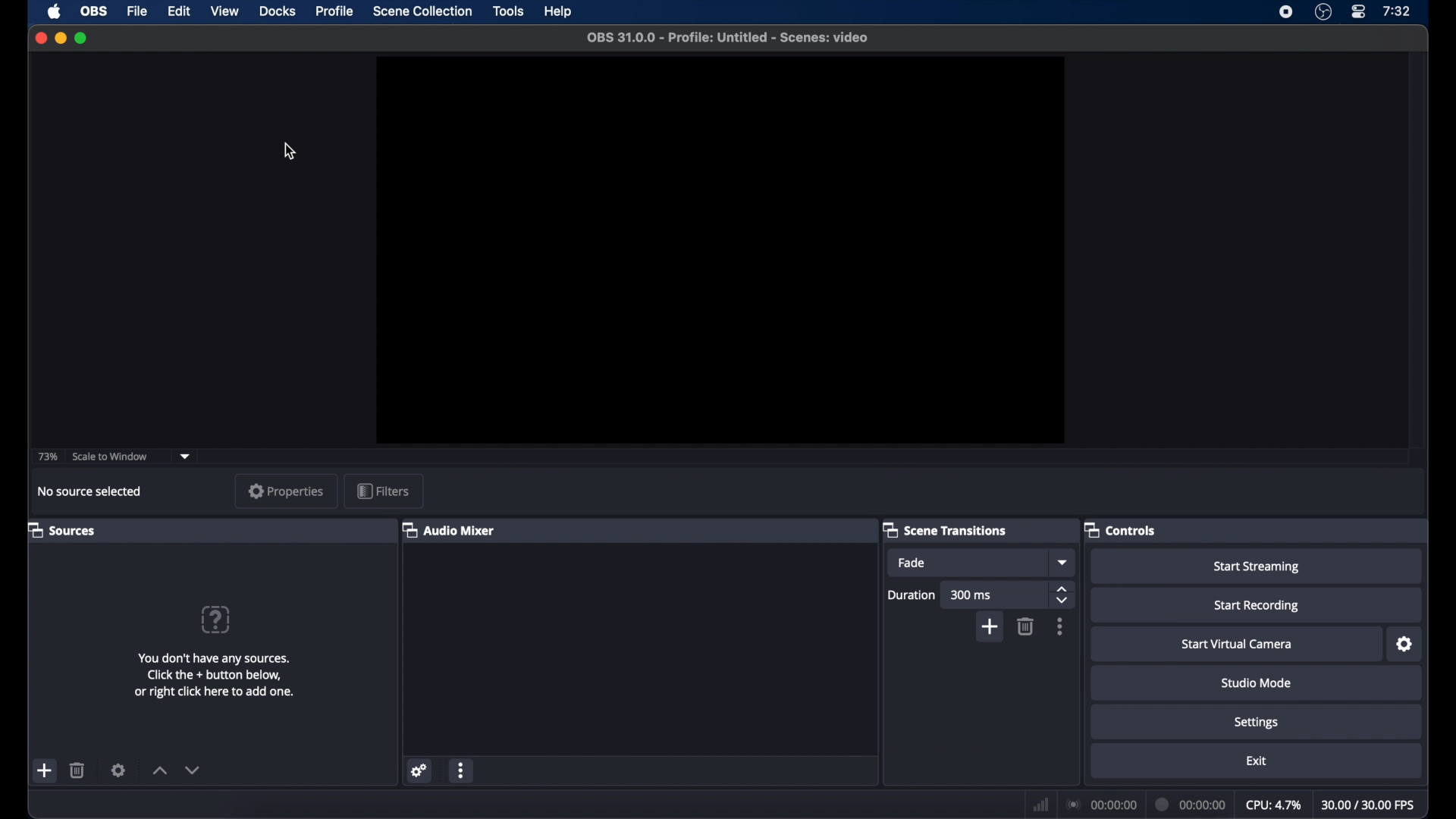 The image size is (1456, 819). Describe the element at coordinates (1257, 606) in the screenshot. I see `start recording` at that location.